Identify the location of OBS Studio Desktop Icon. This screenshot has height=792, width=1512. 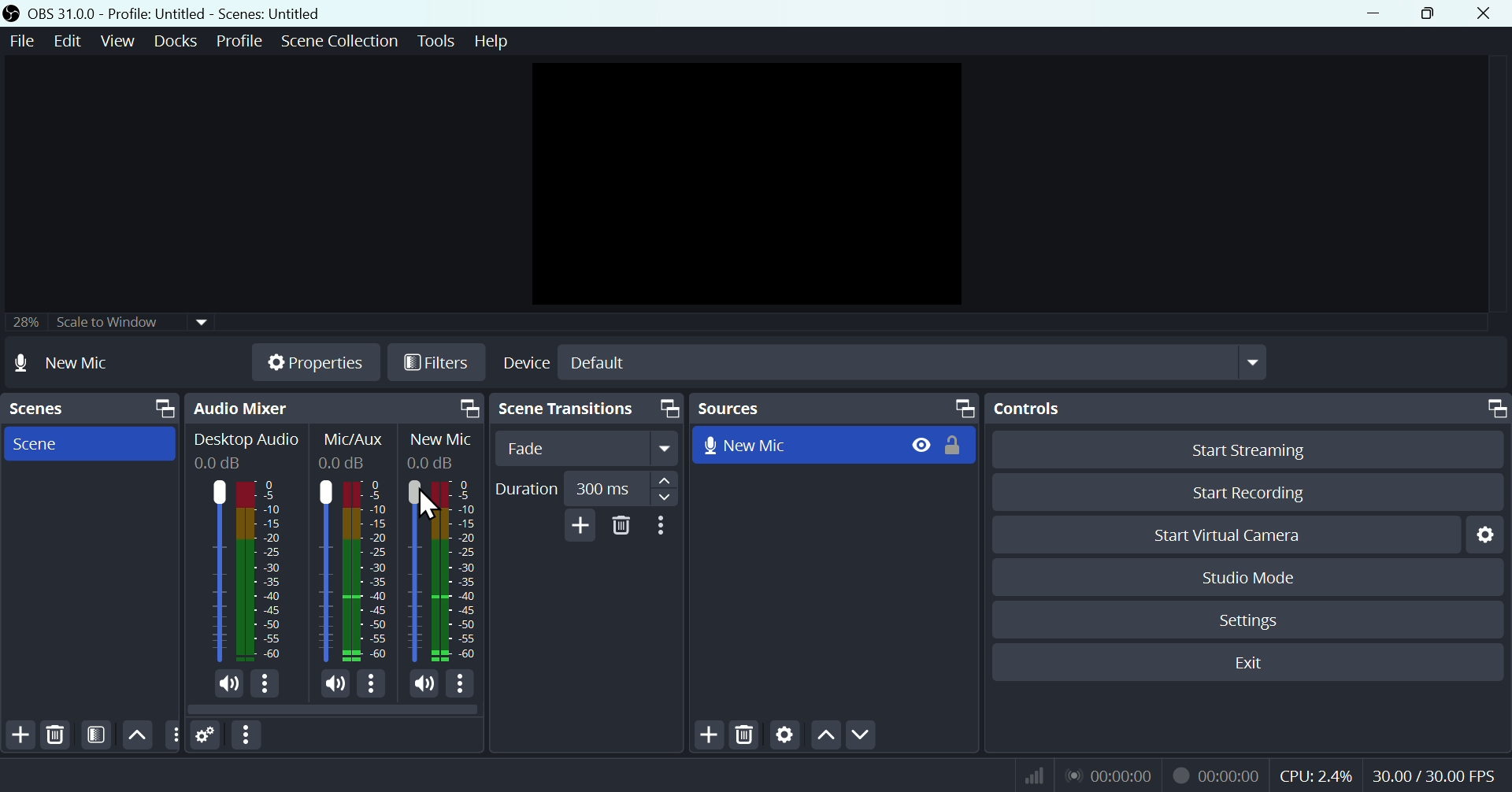
(12, 13).